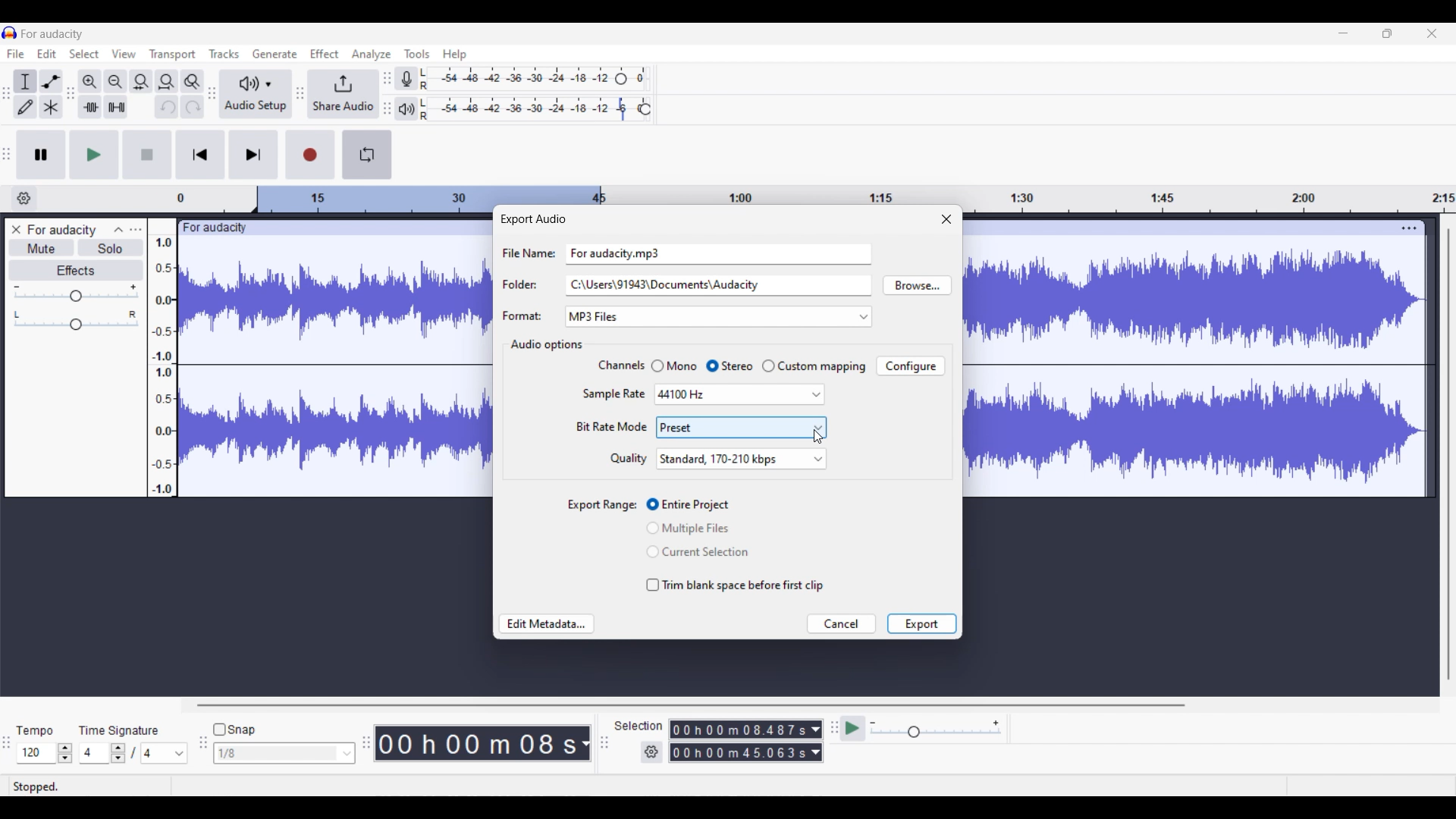  Describe the element at coordinates (254, 154) in the screenshot. I see `Skip/Select to end` at that location.